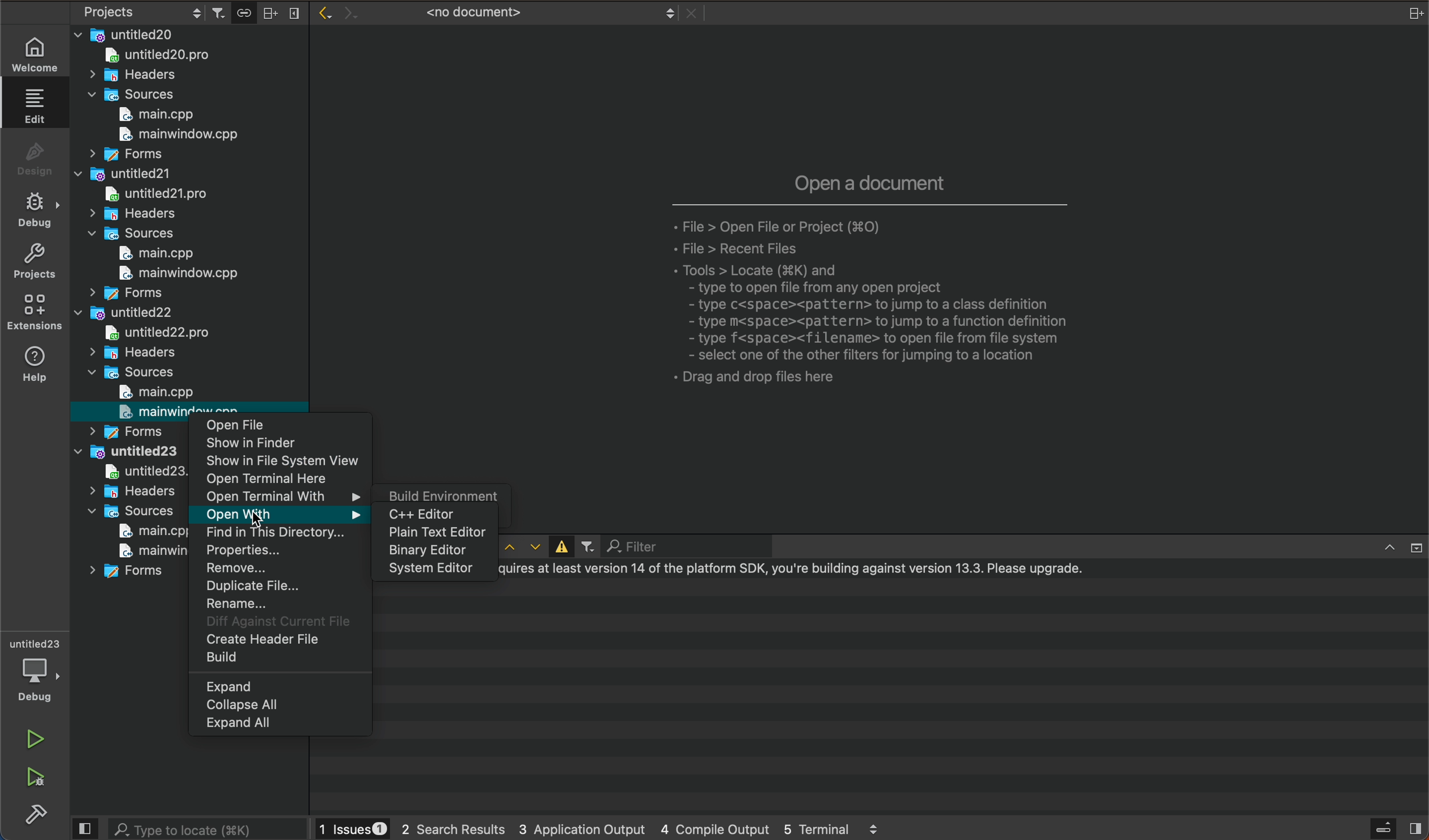 The image size is (1429, 840). I want to click on queries at least version 14 of the platform SDK, you're building against version 13.3. Please upgrade., so click(796, 570).